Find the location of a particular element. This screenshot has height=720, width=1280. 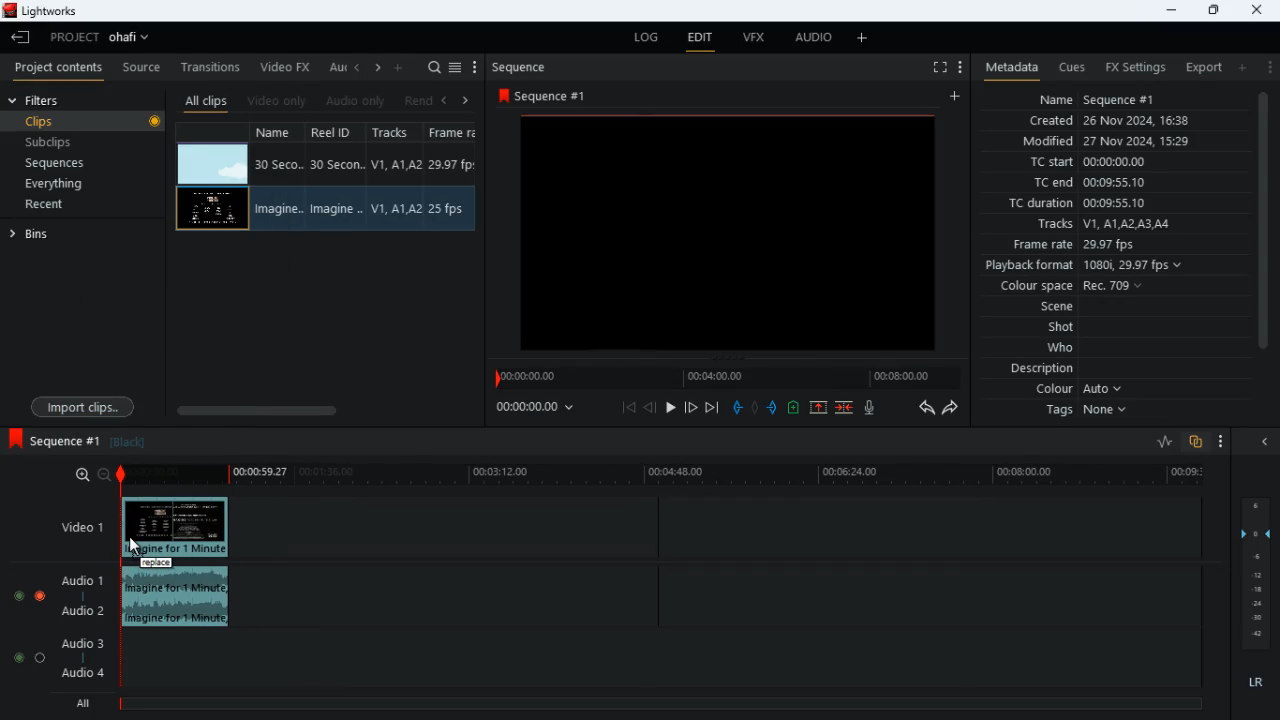

zoom is located at coordinates (85, 475).